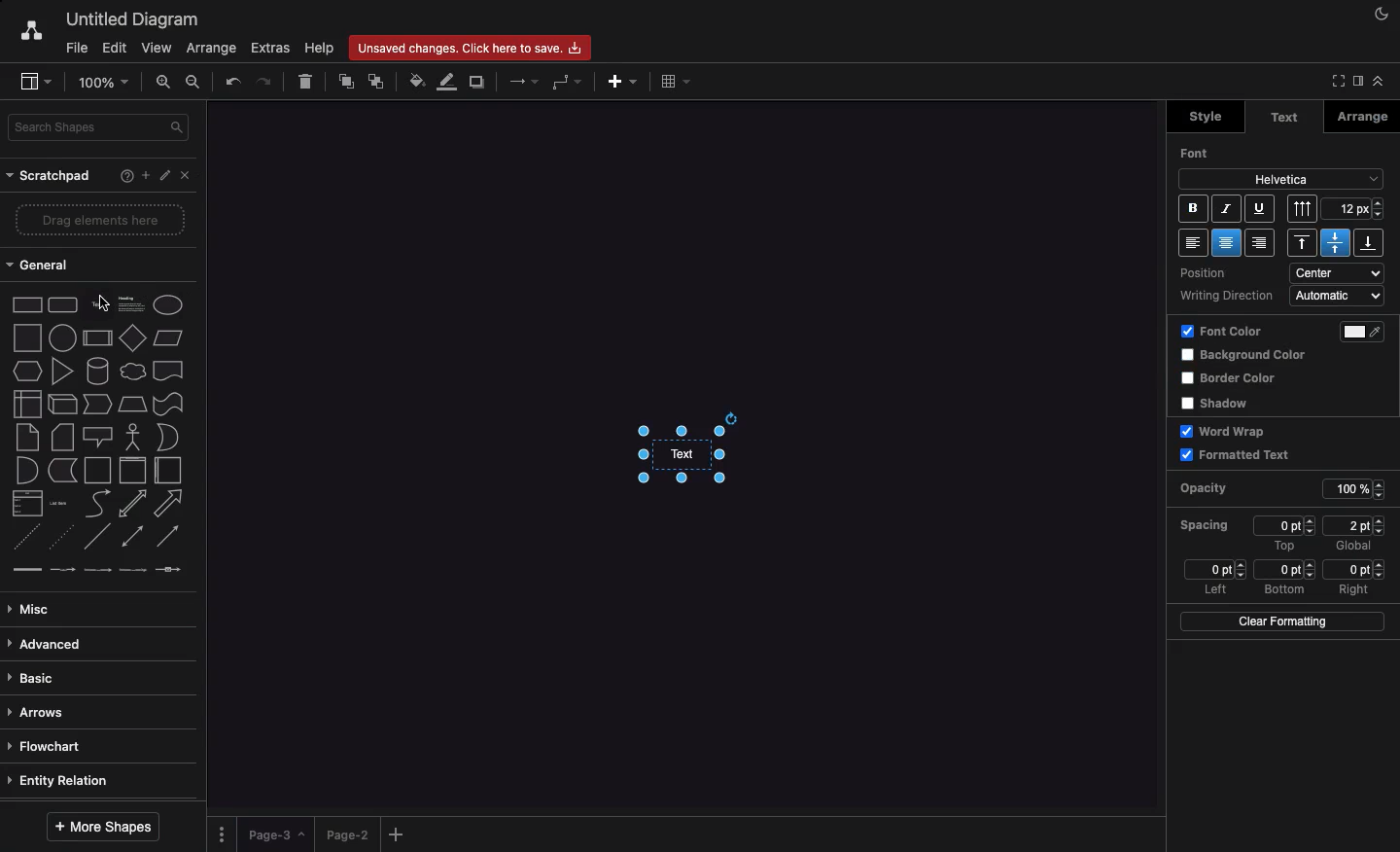  What do you see at coordinates (1229, 242) in the screenshot?
I see `Center aligned` at bounding box center [1229, 242].